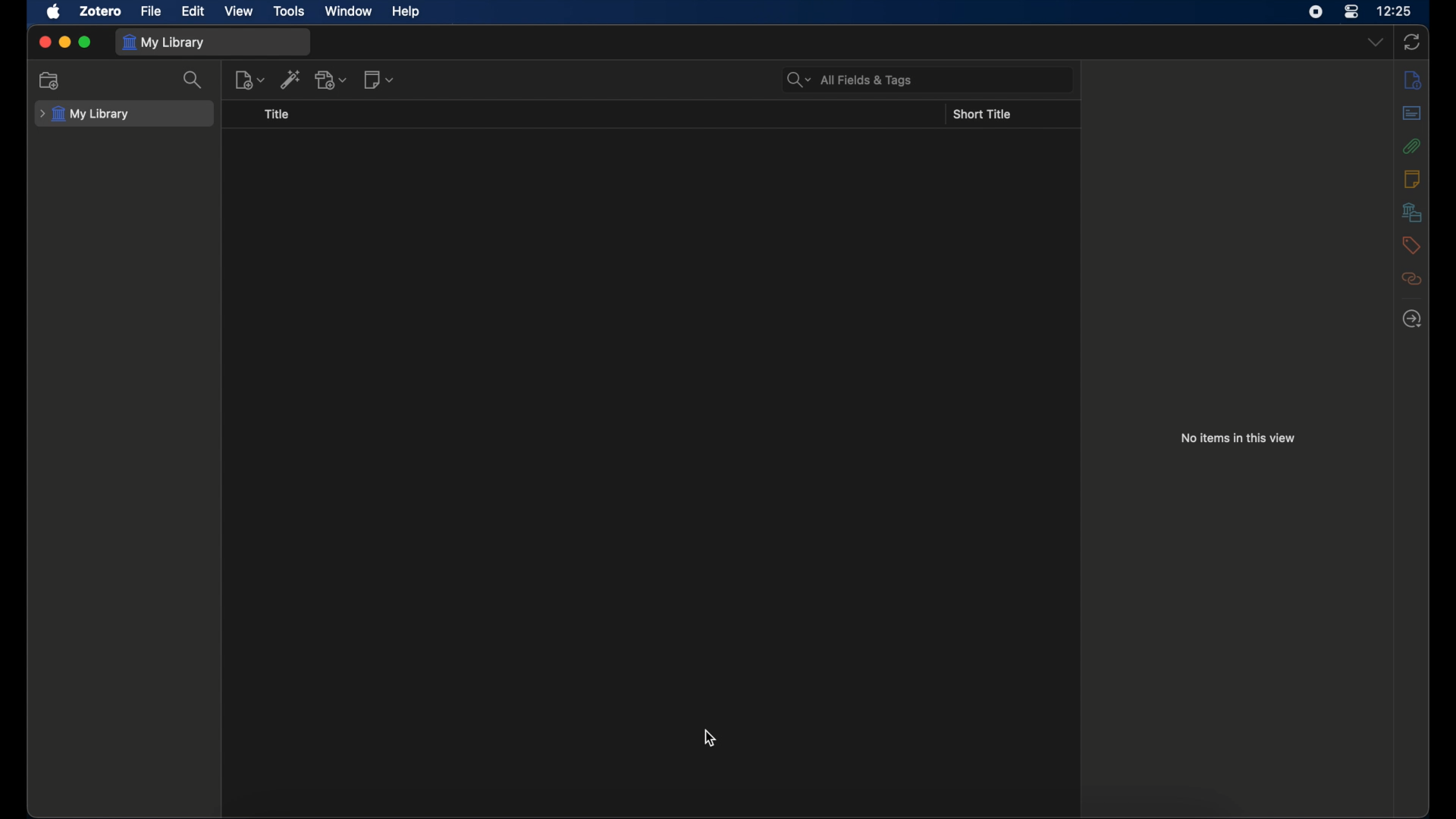 This screenshot has width=1456, height=819. I want to click on libraries, so click(1412, 212).